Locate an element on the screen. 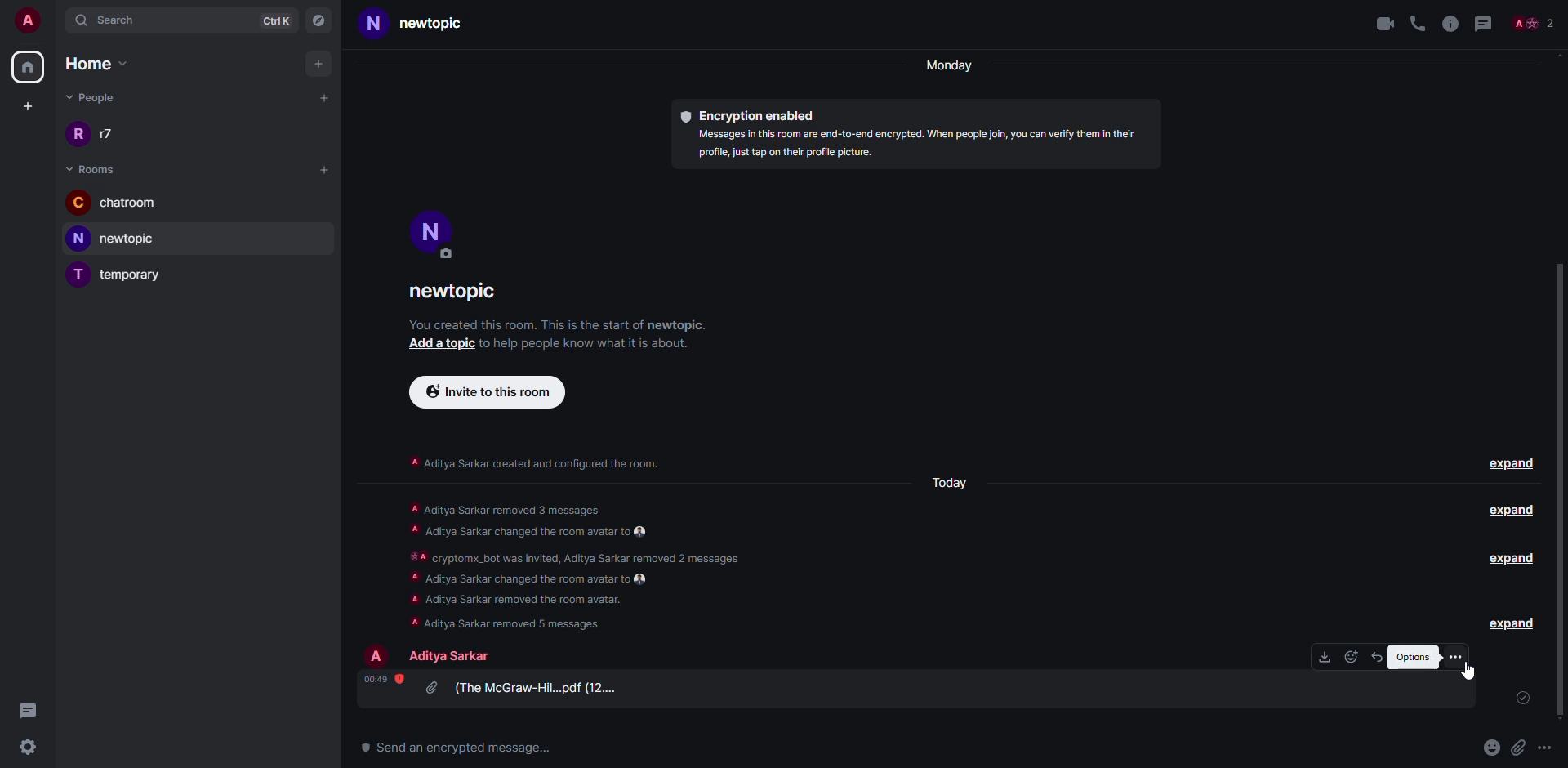  profile is located at coordinates (379, 655).